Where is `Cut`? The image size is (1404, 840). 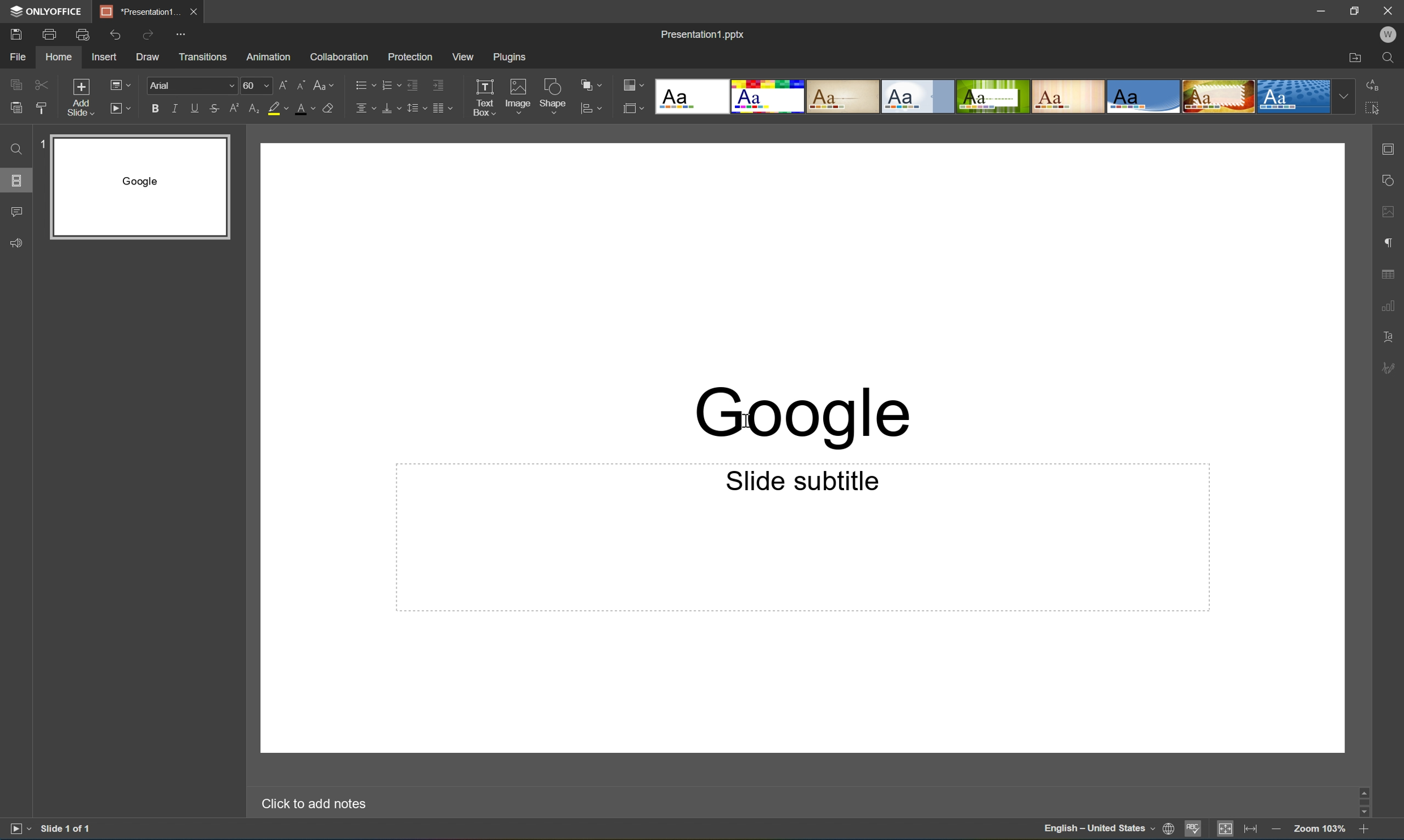 Cut is located at coordinates (45, 84).